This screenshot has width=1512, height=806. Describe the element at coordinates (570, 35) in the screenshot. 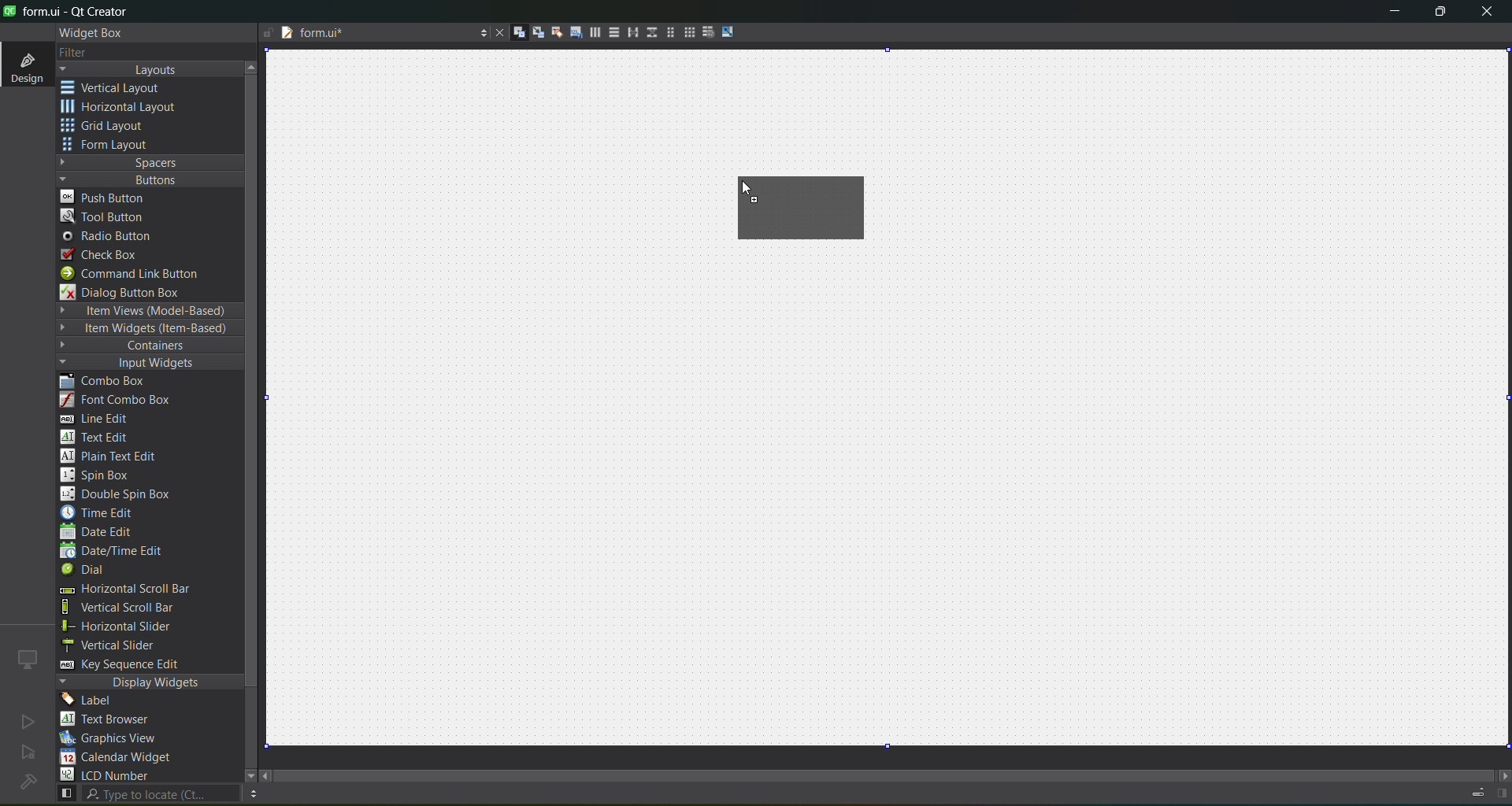

I see `edit tab` at that location.